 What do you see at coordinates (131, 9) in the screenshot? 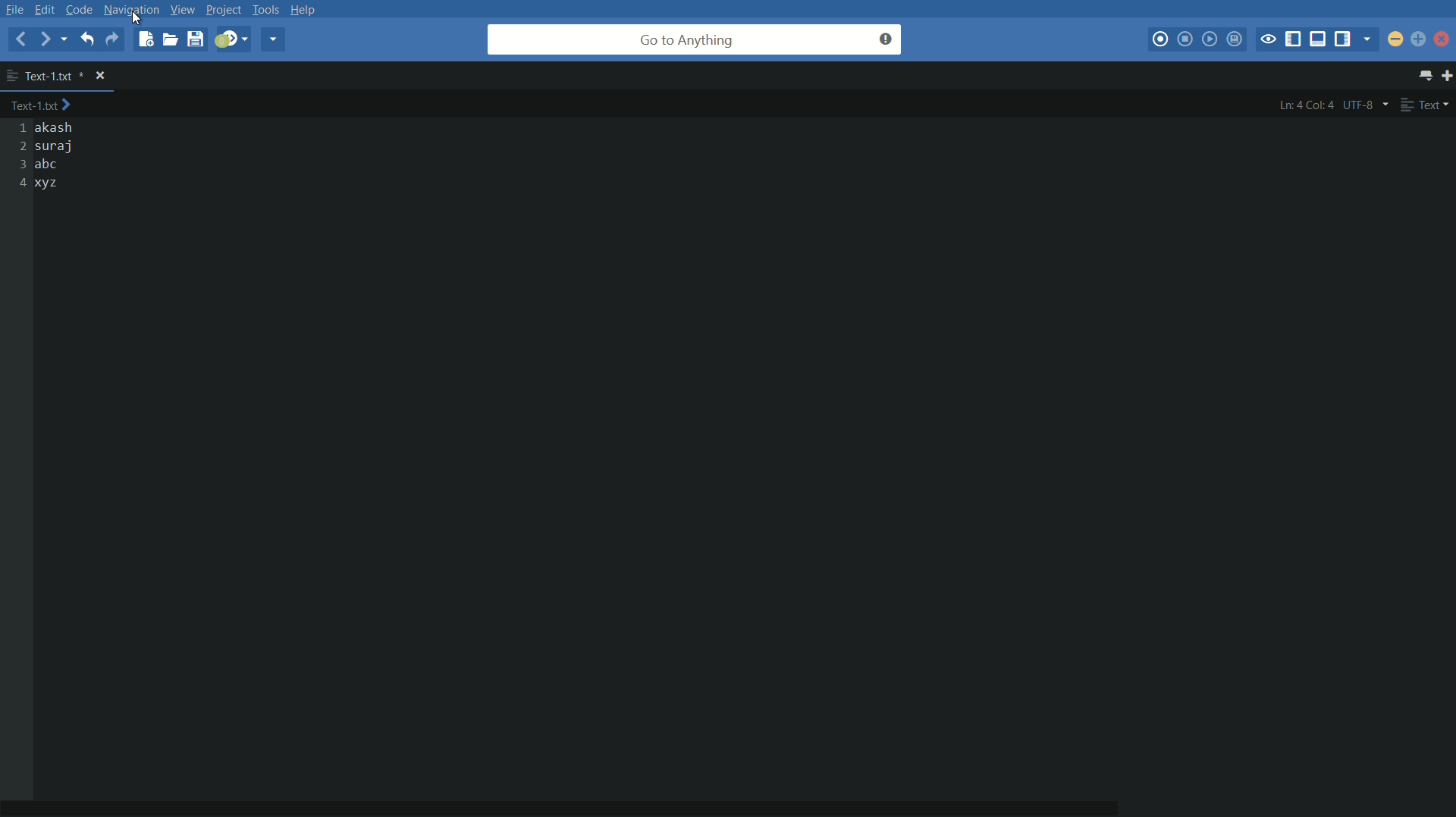
I see `navigation` at bounding box center [131, 9].